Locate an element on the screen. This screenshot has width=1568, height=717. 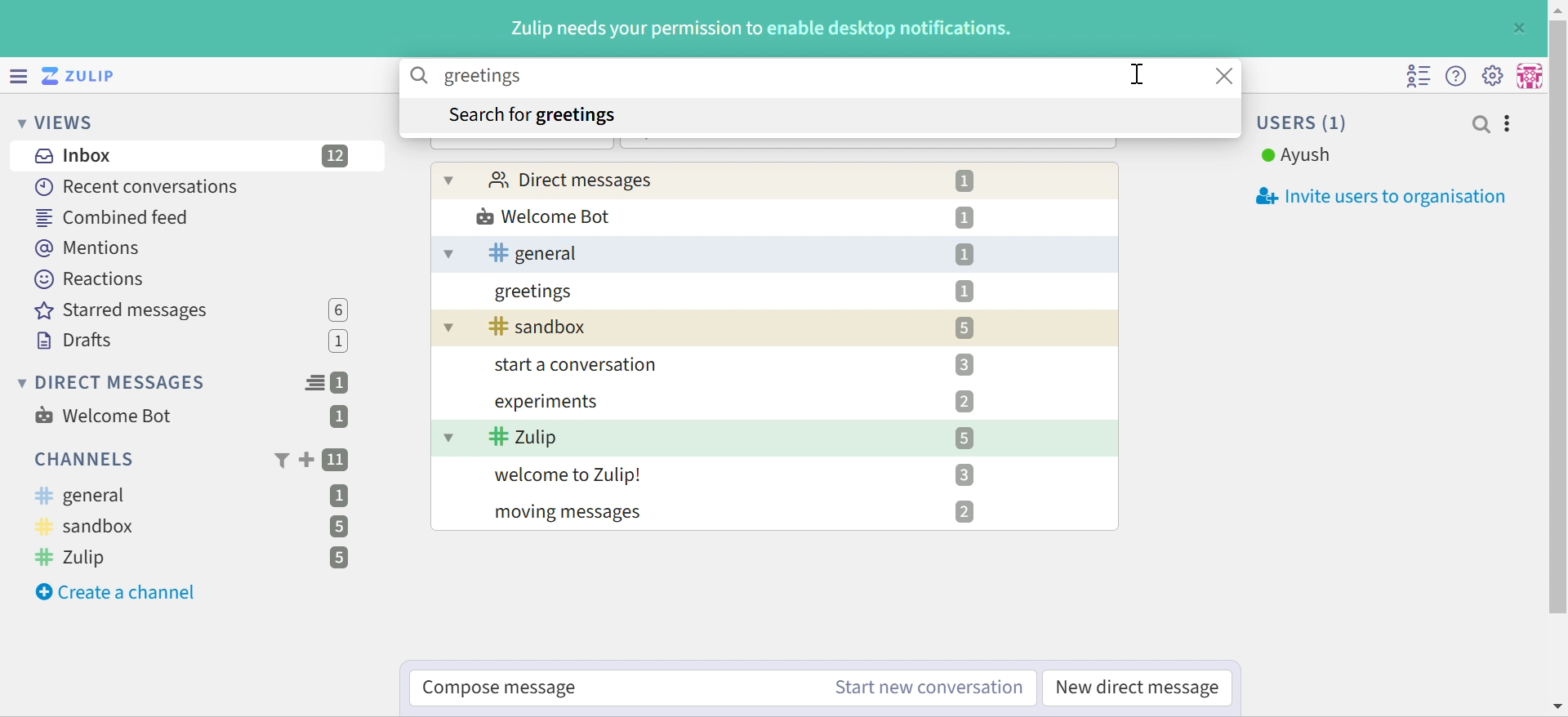
Compose message is located at coordinates (503, 688).